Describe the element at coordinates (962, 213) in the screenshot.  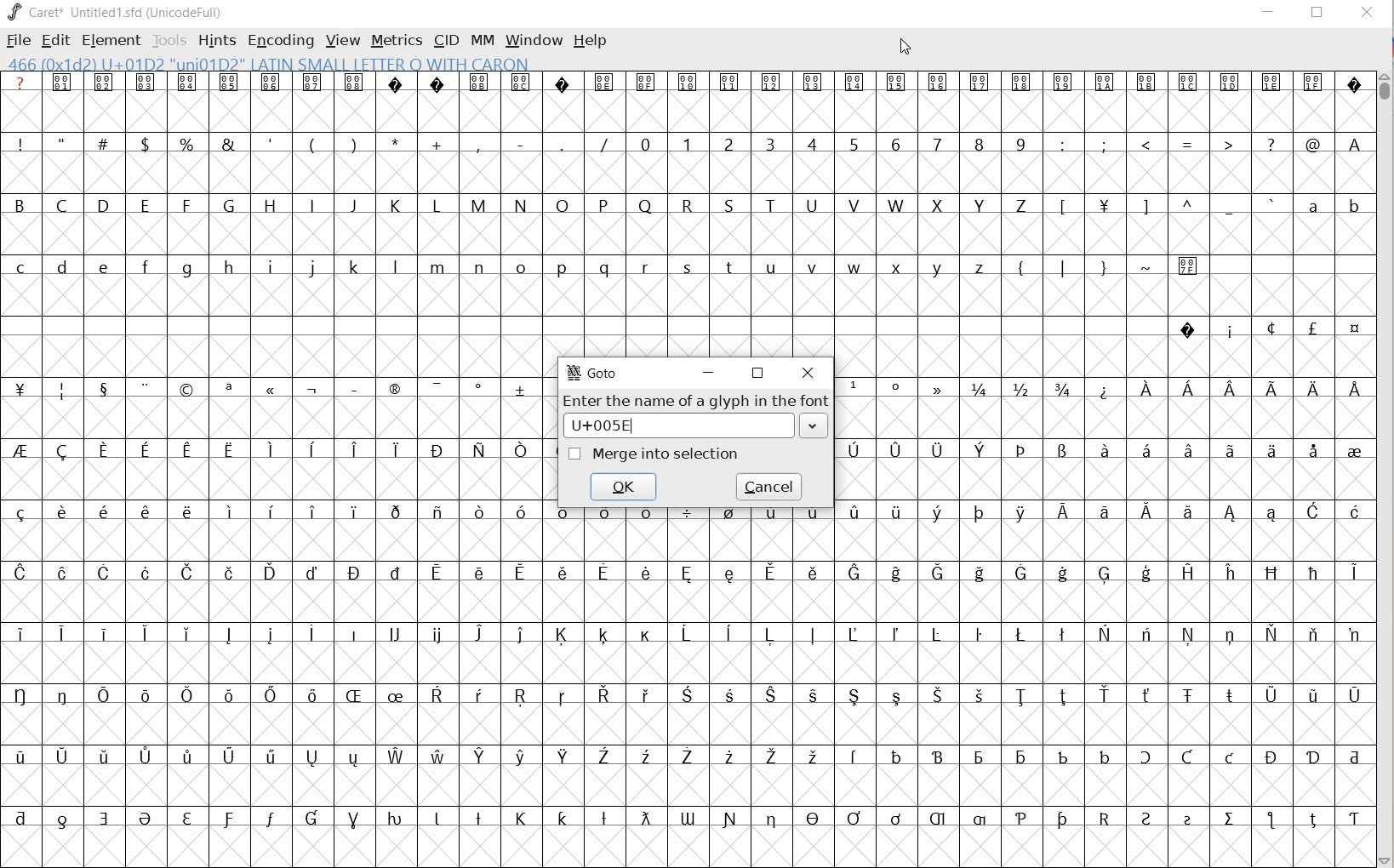
I see `glyph characters` at that location.